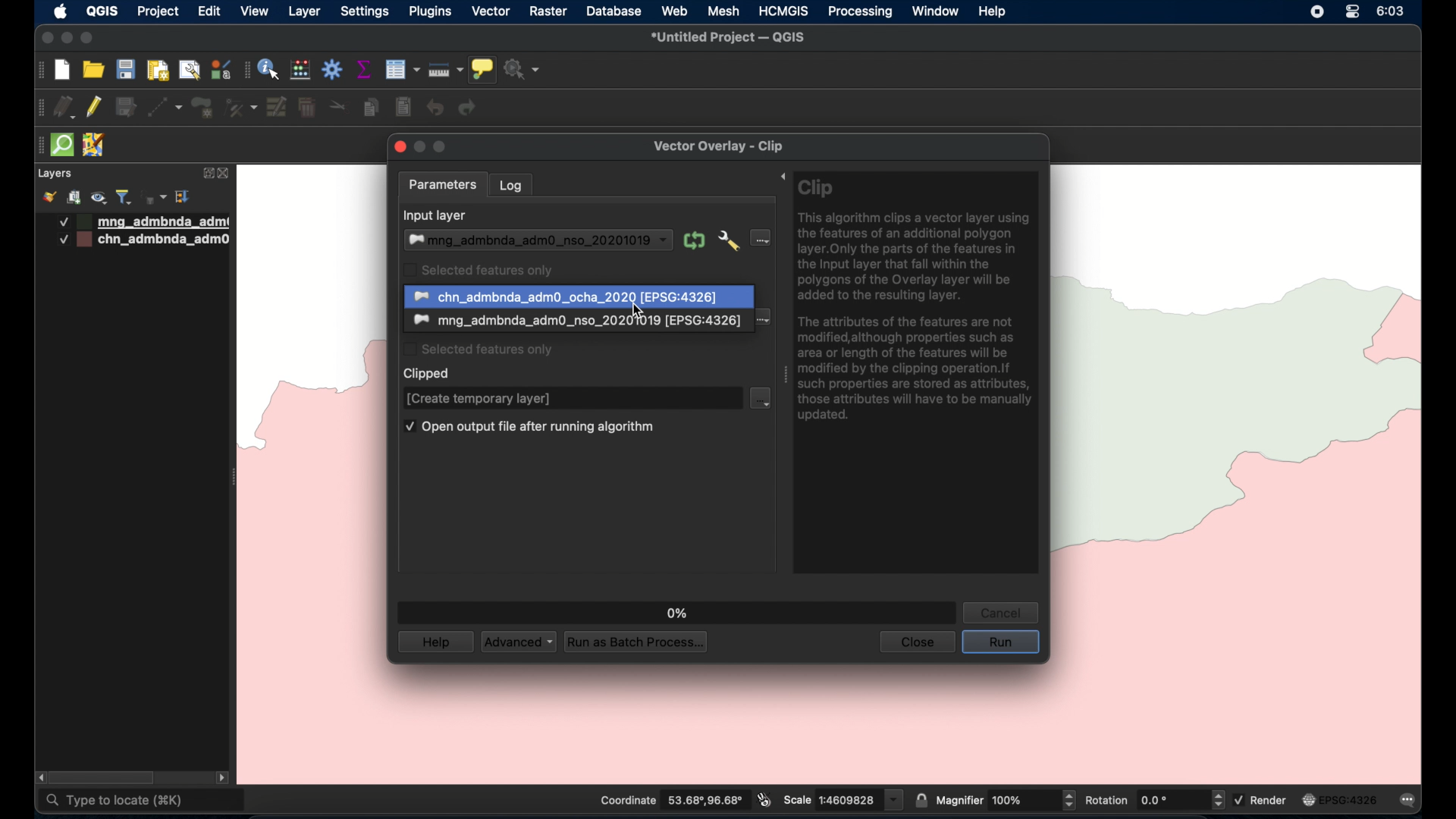  Describe the element at coordinates (1153, 799) in the screenshot. I see `rotation` at that location.